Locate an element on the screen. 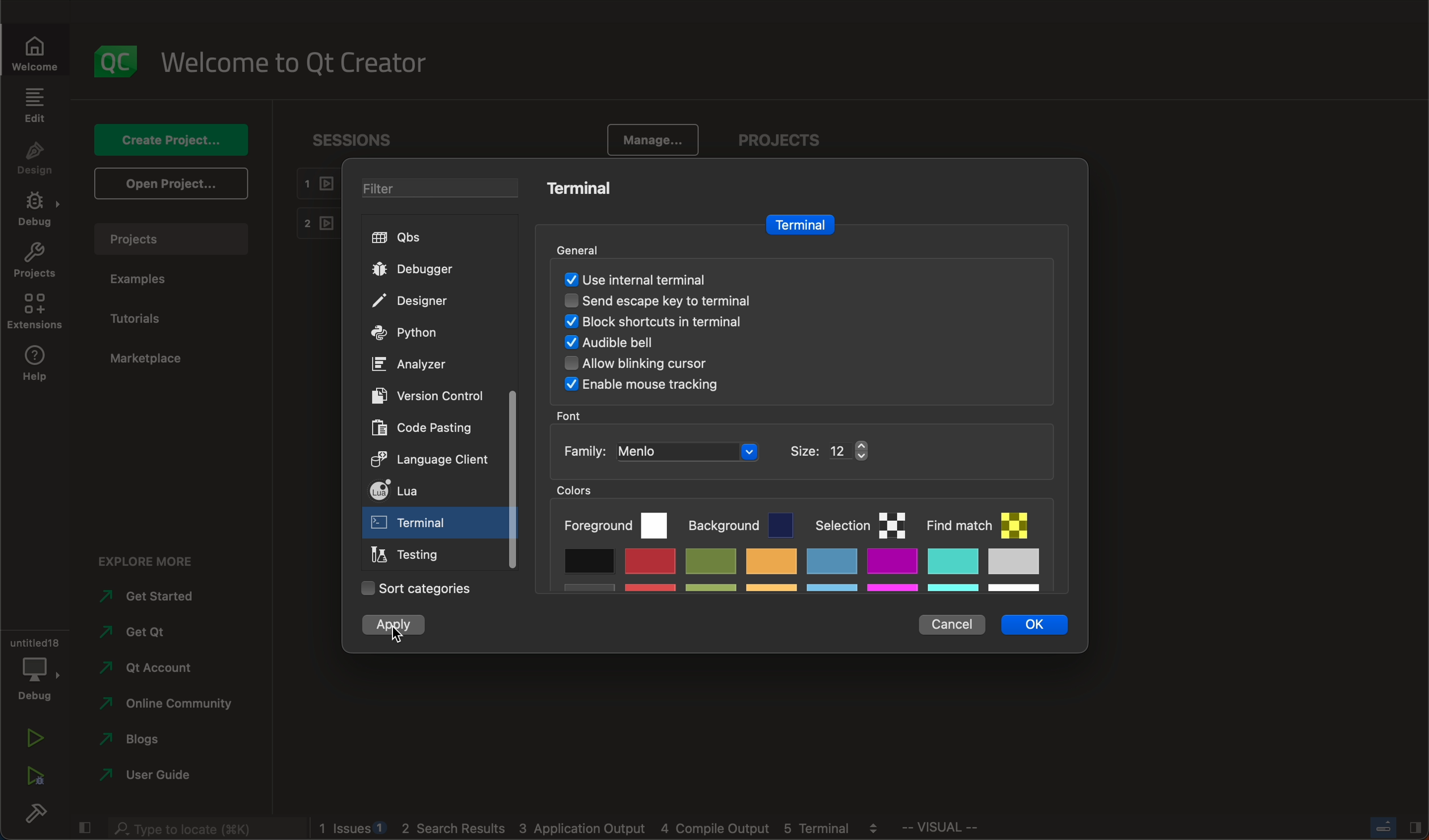 This screenshot has height=840, width=1429. scrollbar is located at coordinates (512, 479).